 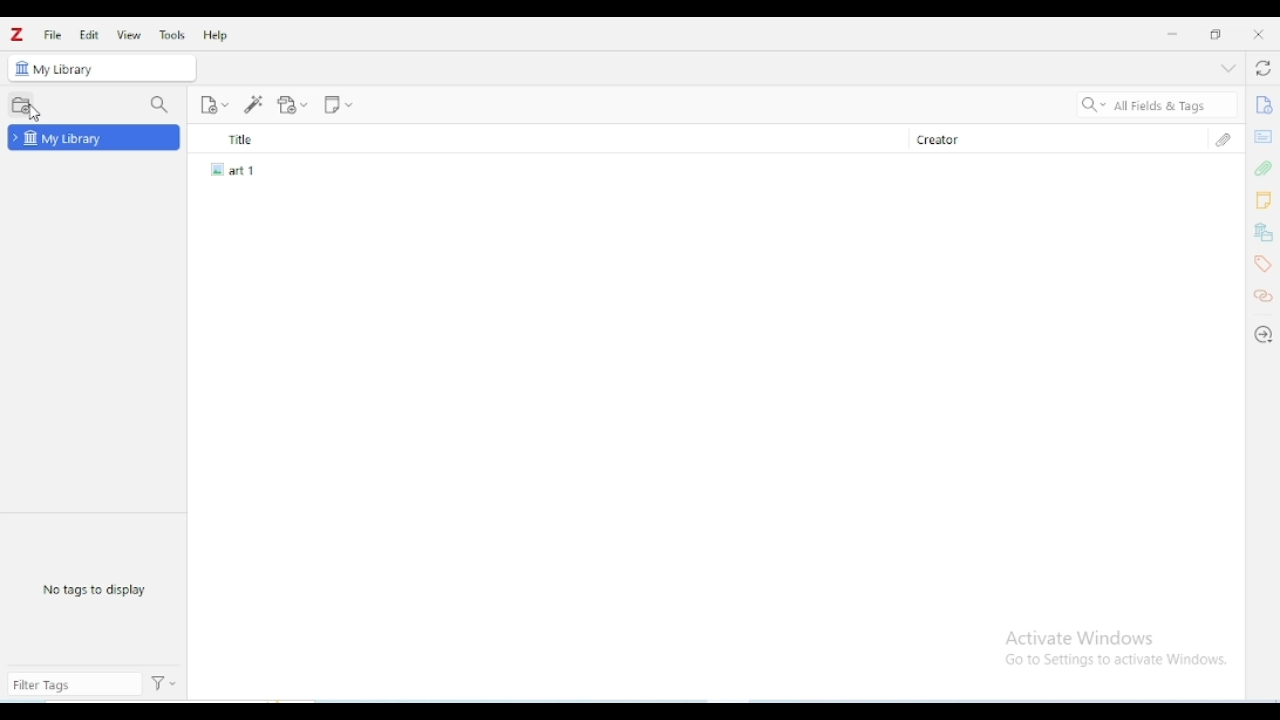 What do you see at coordinates (293, 104) in the screenshot?
I see `add attachment` at bounding box center [293, 104].